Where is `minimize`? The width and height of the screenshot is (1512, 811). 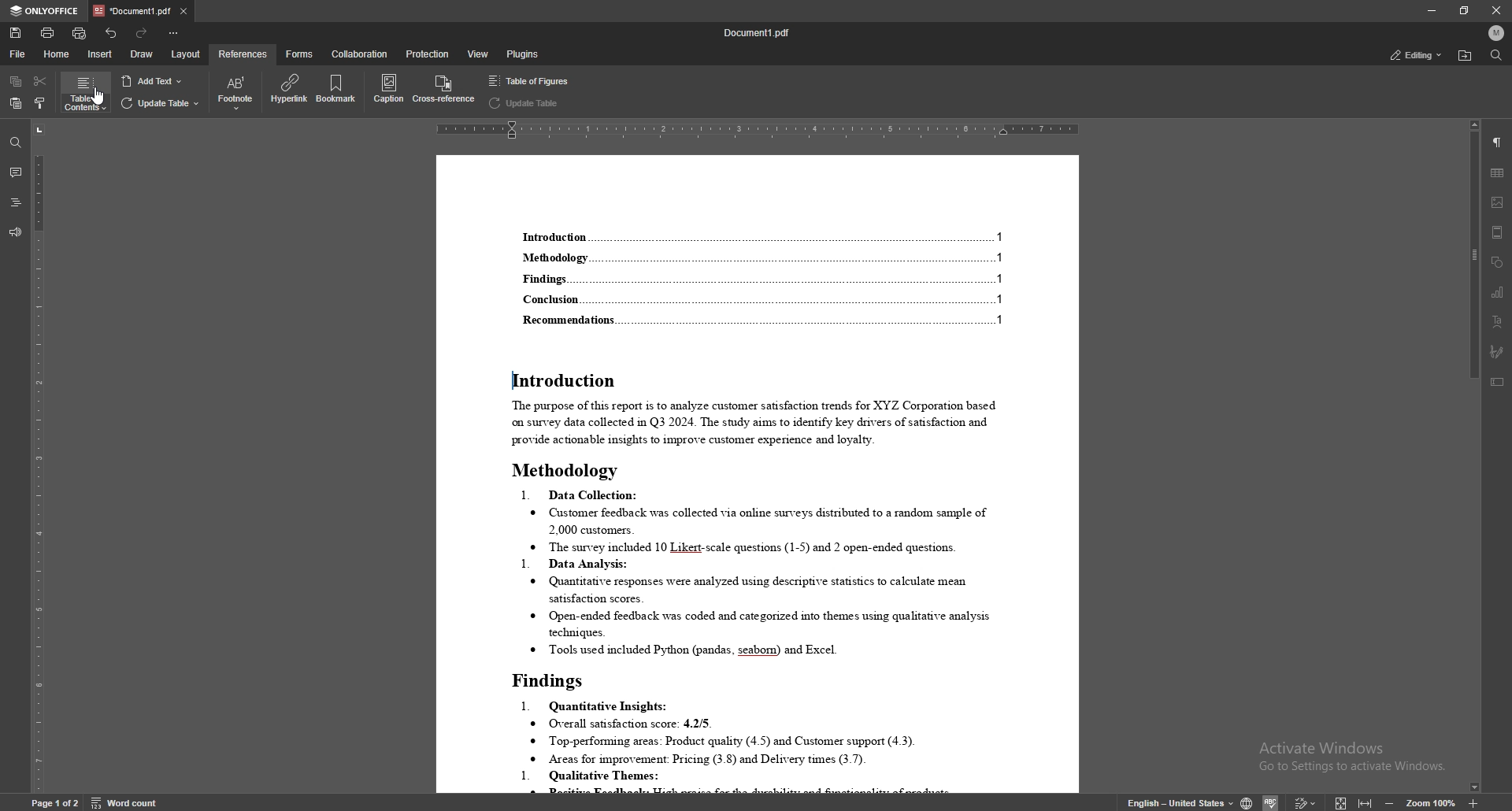
minimize is located at coordinates (1432, 10).